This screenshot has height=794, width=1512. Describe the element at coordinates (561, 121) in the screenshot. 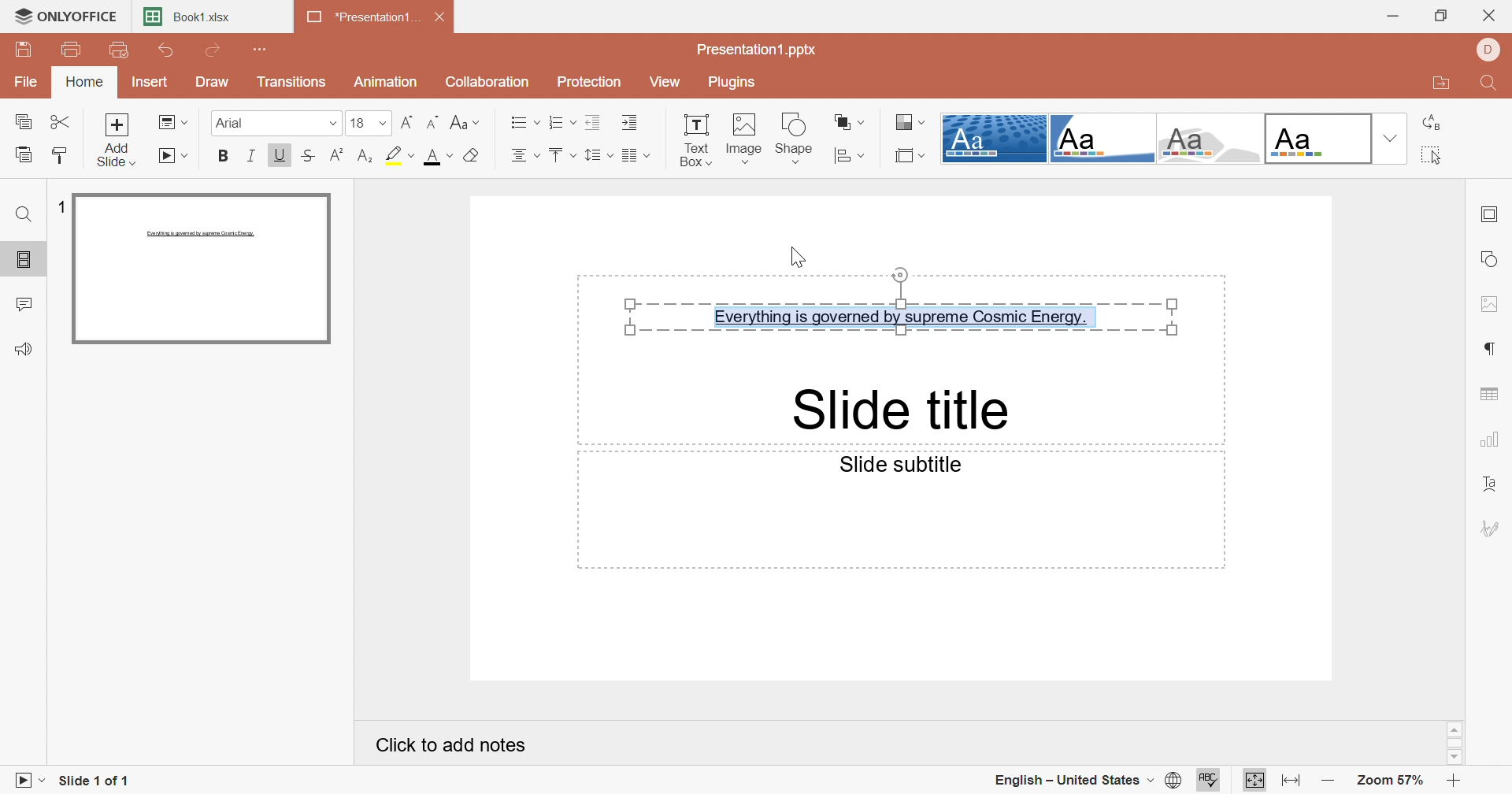

I see `Numbering` at that location.